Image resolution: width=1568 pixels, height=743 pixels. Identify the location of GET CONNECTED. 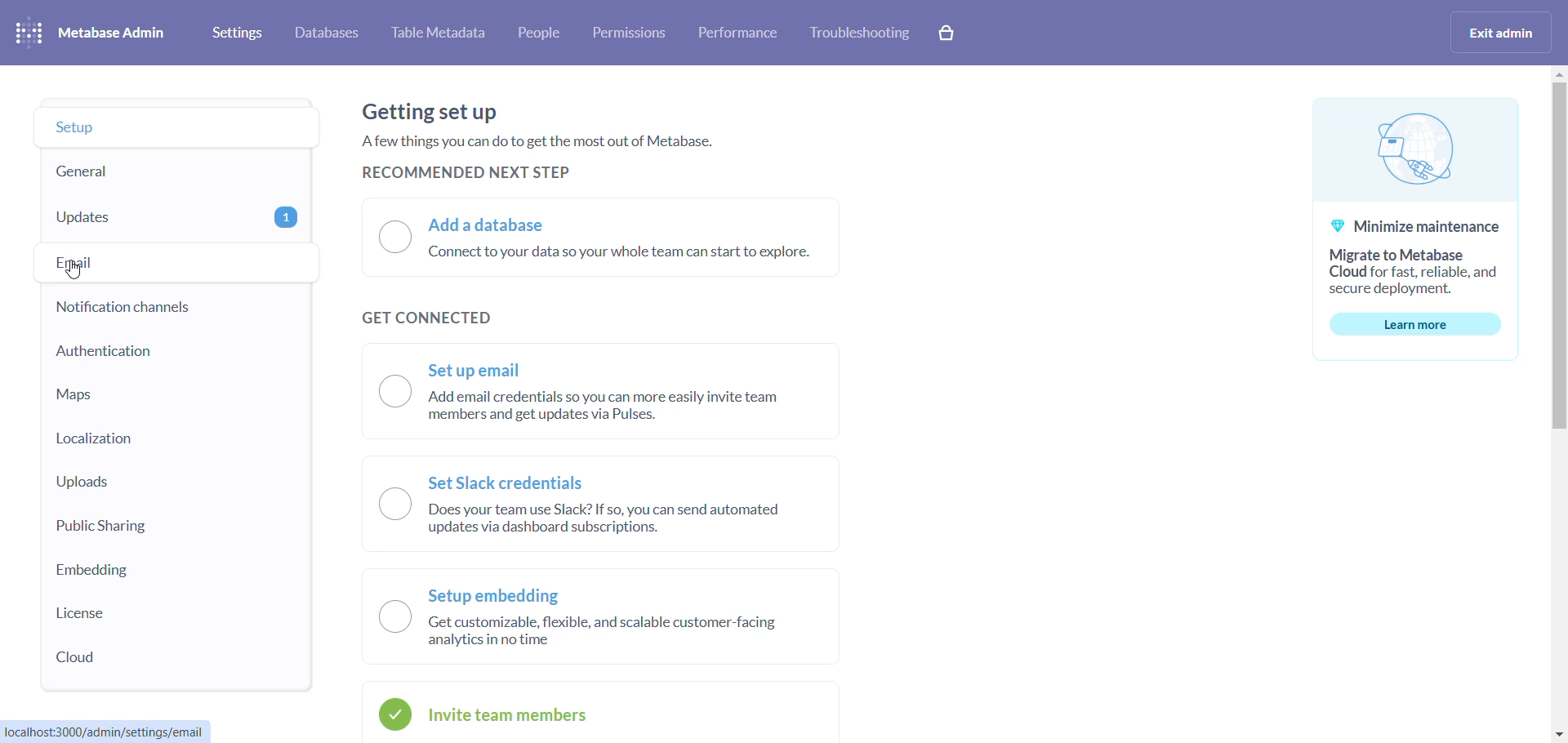
(430, 321).